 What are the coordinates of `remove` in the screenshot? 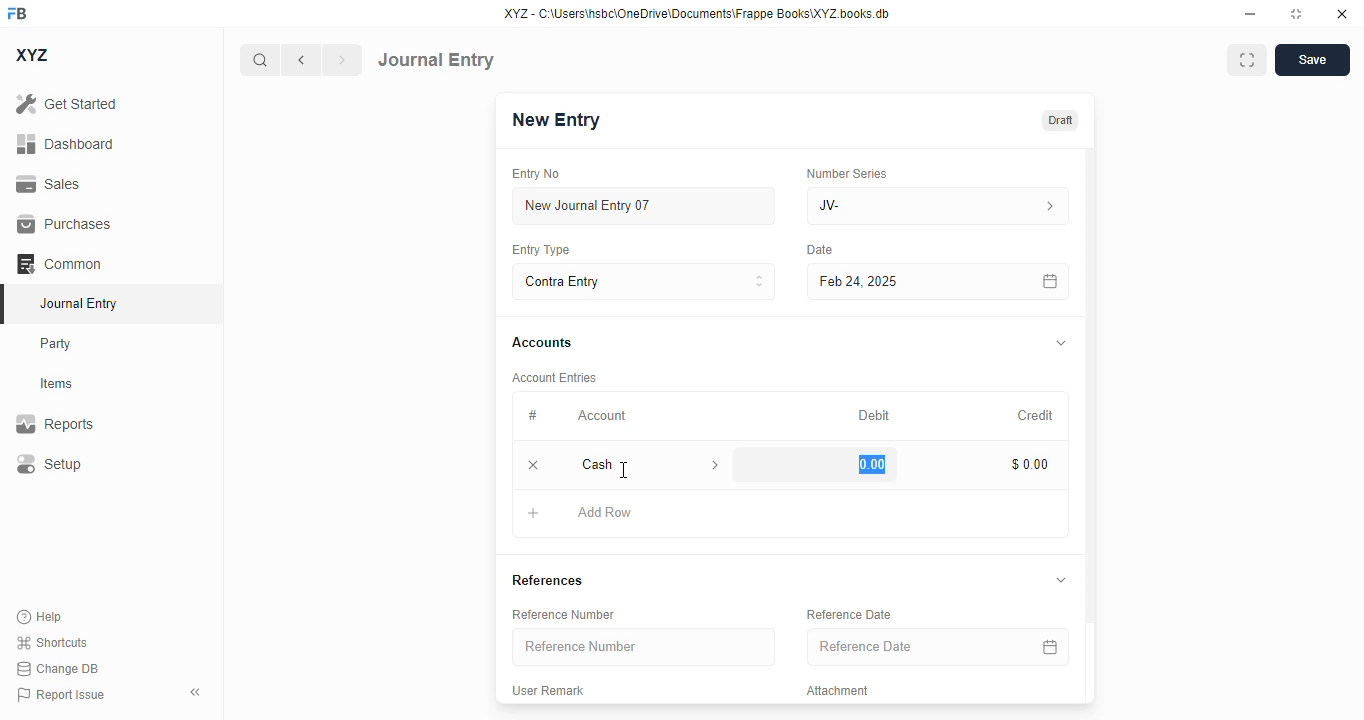 It's located at (534, 465).